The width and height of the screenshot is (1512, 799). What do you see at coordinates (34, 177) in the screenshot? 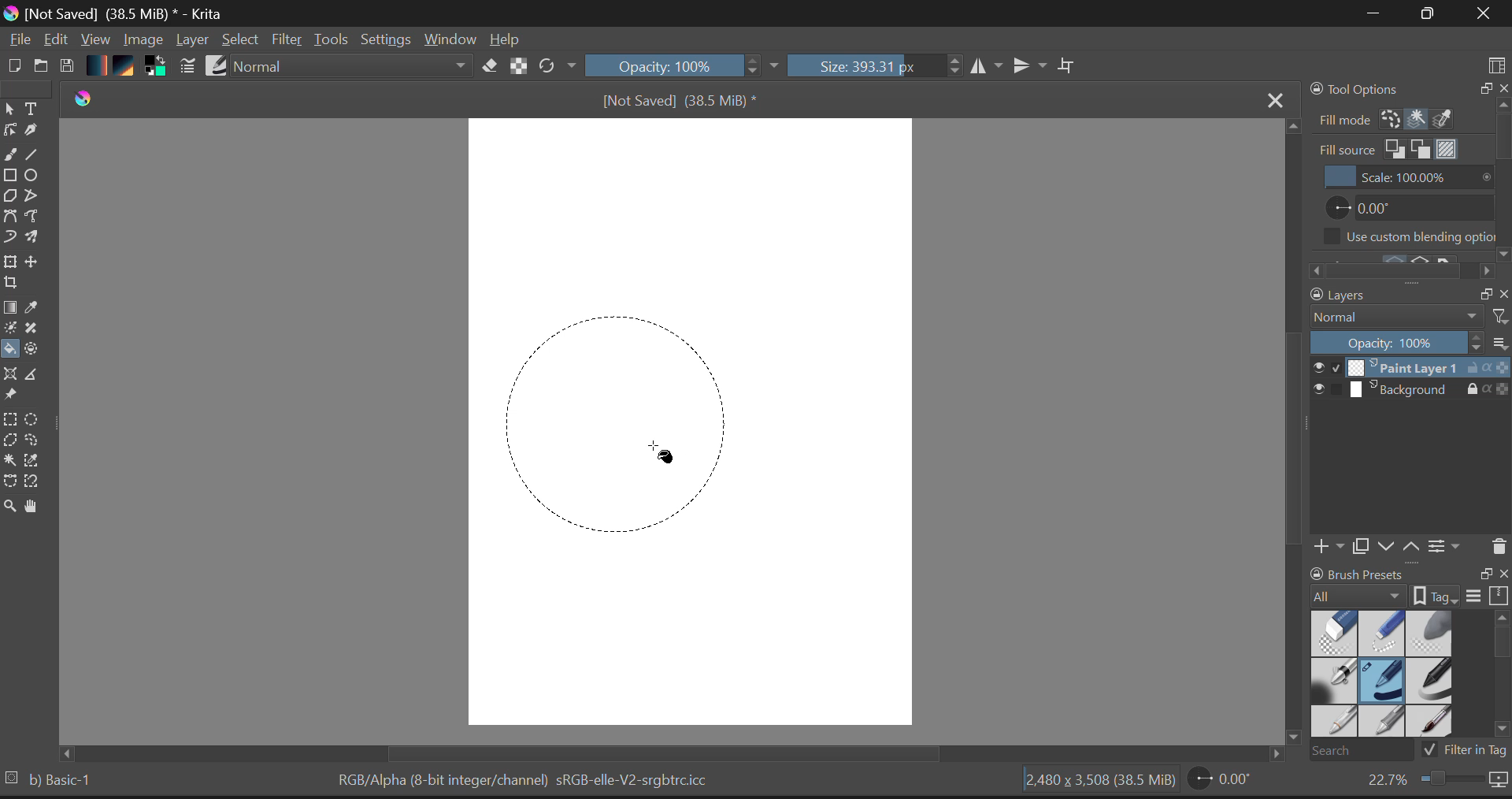
I see `Elipses` at bounding box center [34, 177].